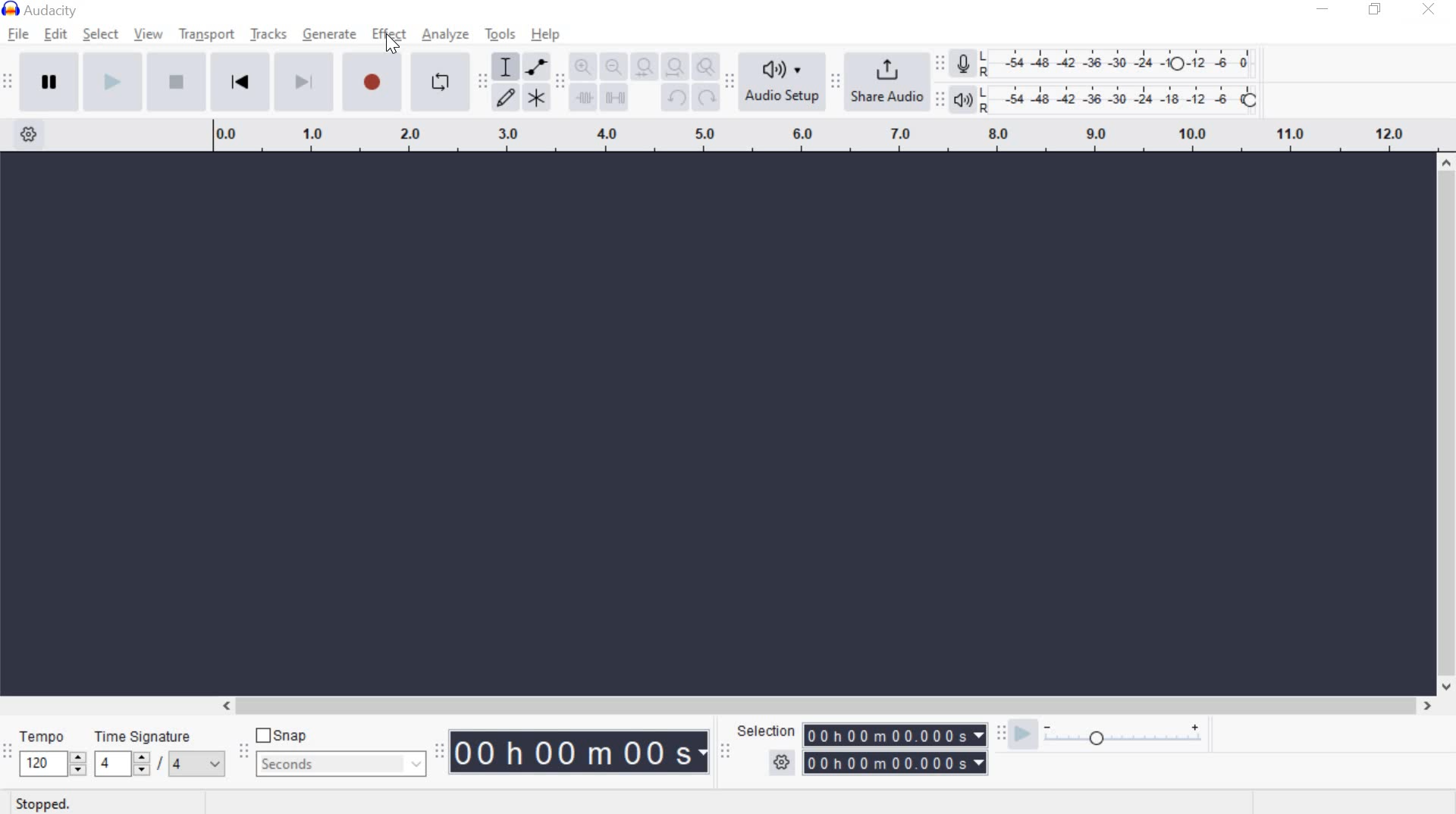 This screenshot has width=1456, height=814. What do you see at coordinates (1447, 424) in the screenshot?
I see `scrollbar` at bounding box center [1447, 424].